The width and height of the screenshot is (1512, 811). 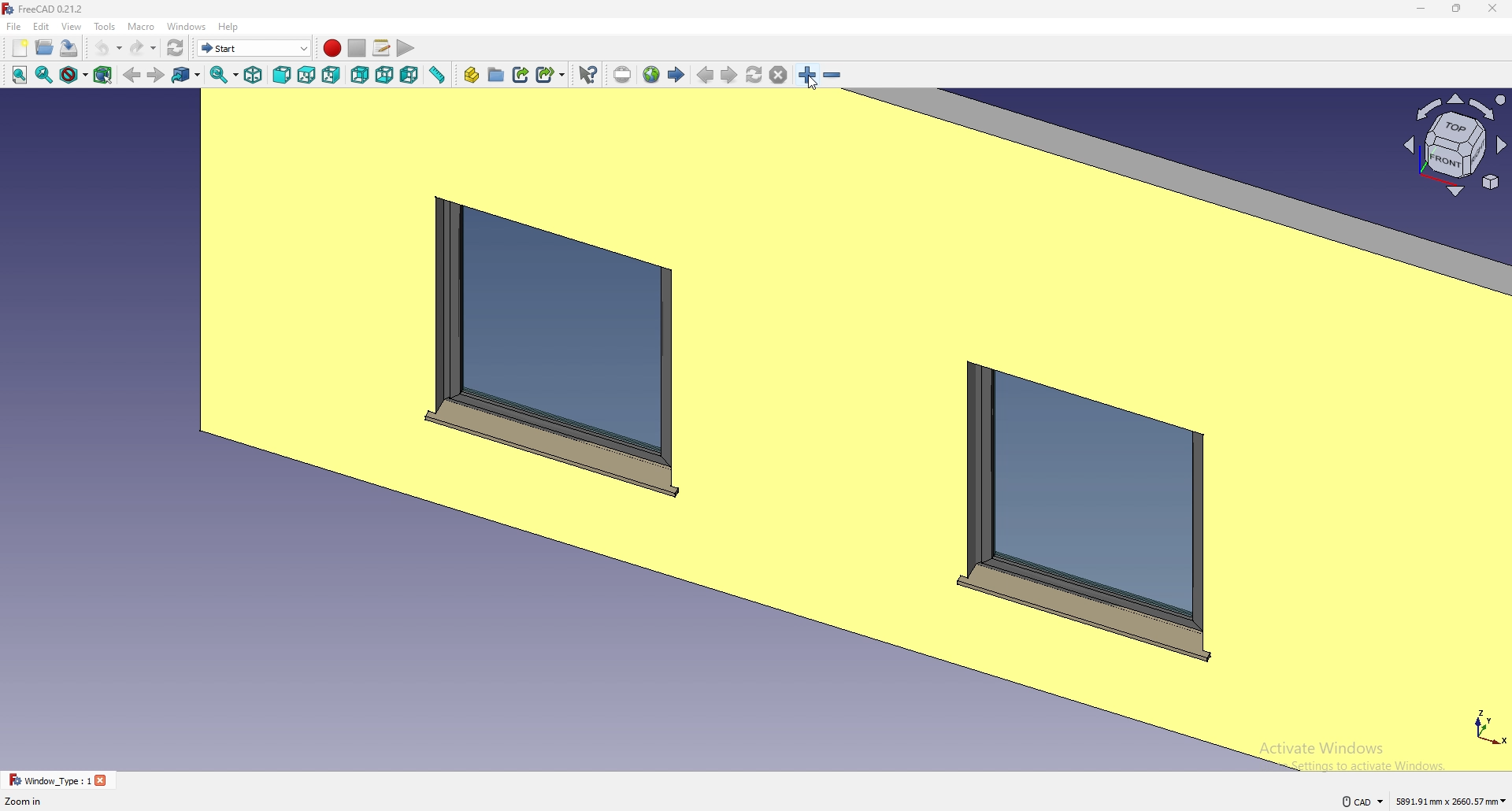 I want to click on forward, so click(x=156, y=75).